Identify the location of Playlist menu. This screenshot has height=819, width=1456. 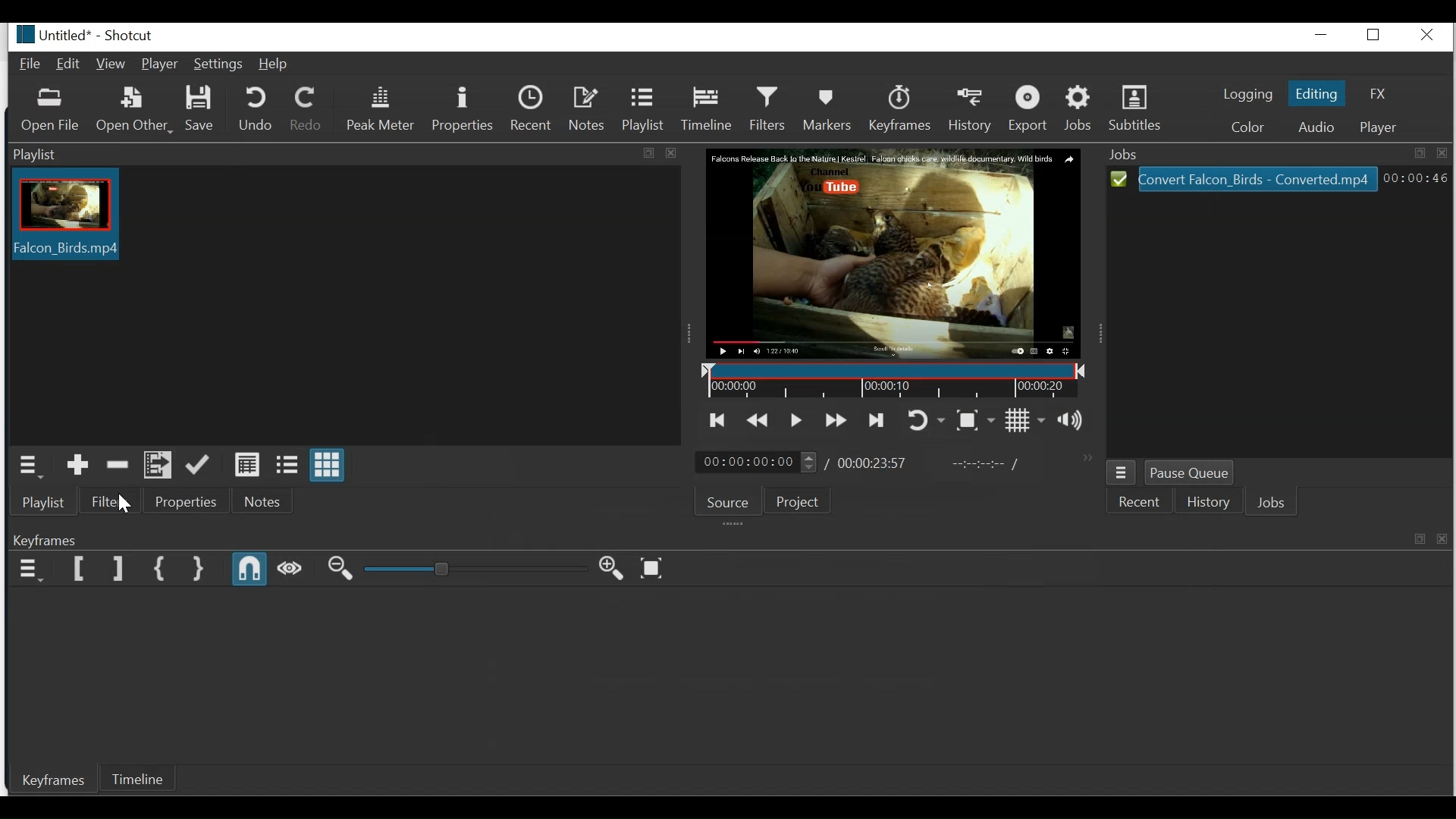
(30, 466).